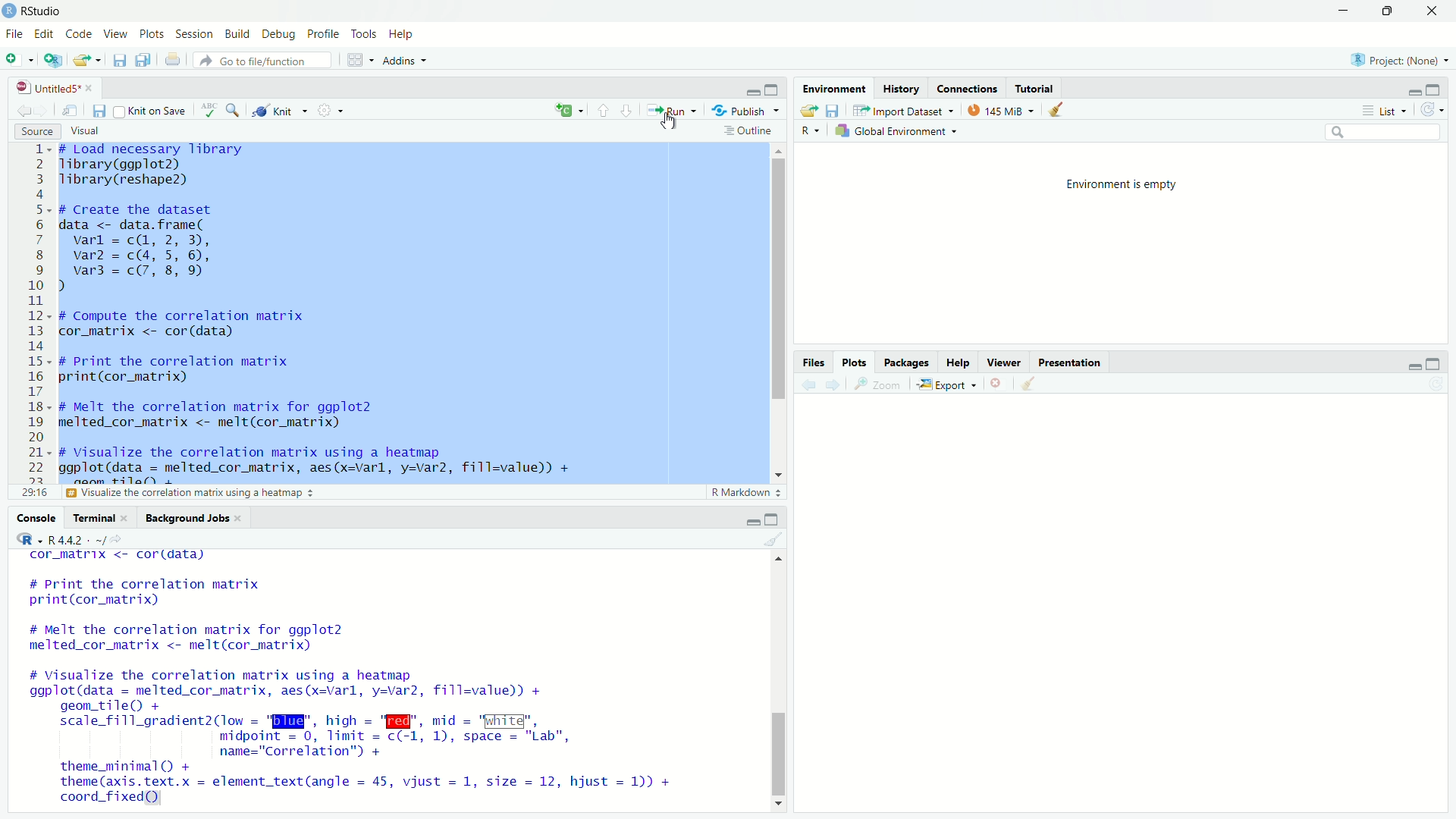 The height and width of the screenshot is (819, 1456). Describe the element at coordinates (146, 59) in the screenshot. I see `save all open documents` at that location.